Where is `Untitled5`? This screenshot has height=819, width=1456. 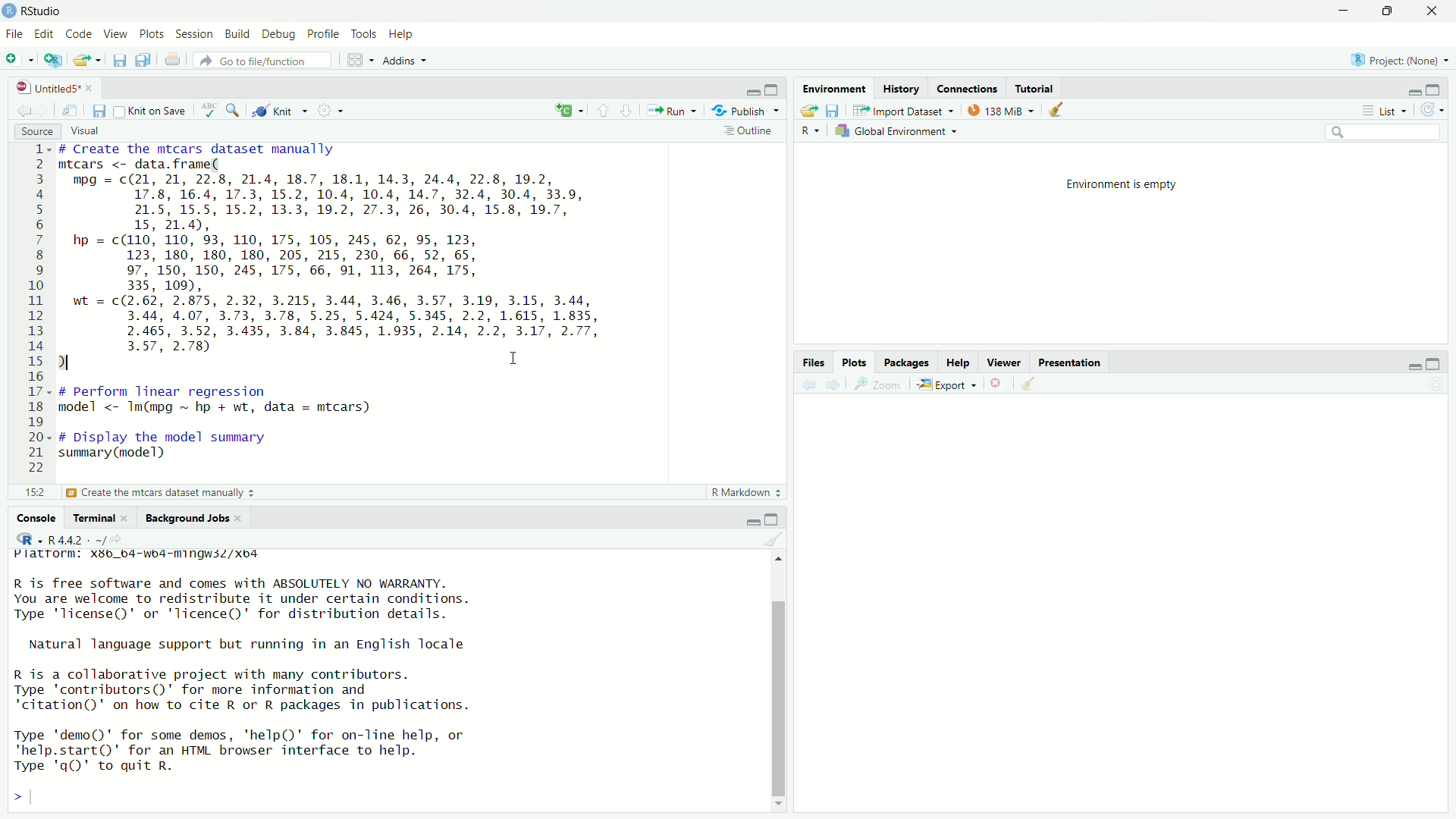
Untitled5 is located at coordinates (49, 88).